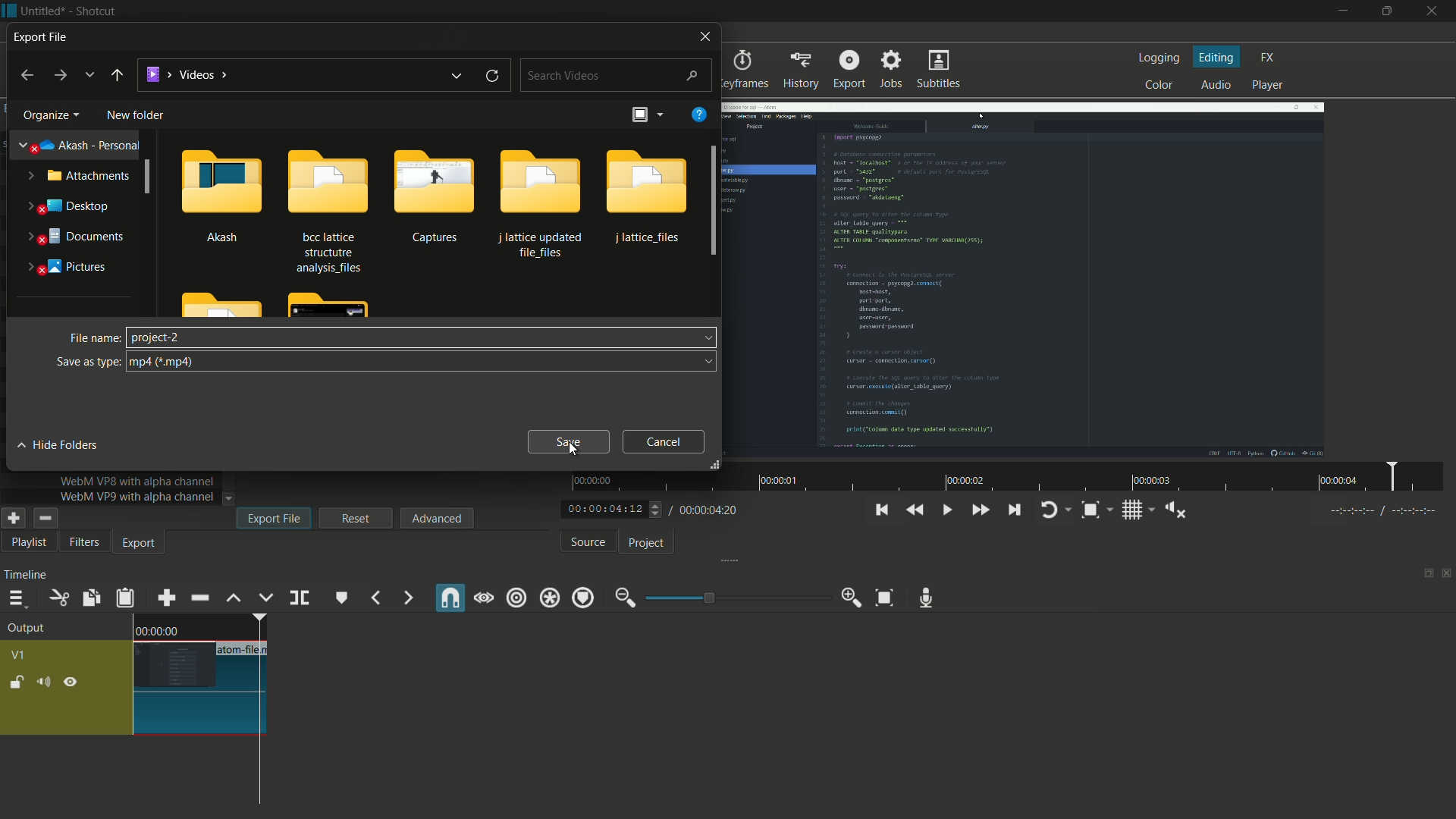 This screenshot has height=819, width=1456. What do you see at coordinates (664, 441) in the screenshot?
I see `cancel` at bounding box center [664, 441].